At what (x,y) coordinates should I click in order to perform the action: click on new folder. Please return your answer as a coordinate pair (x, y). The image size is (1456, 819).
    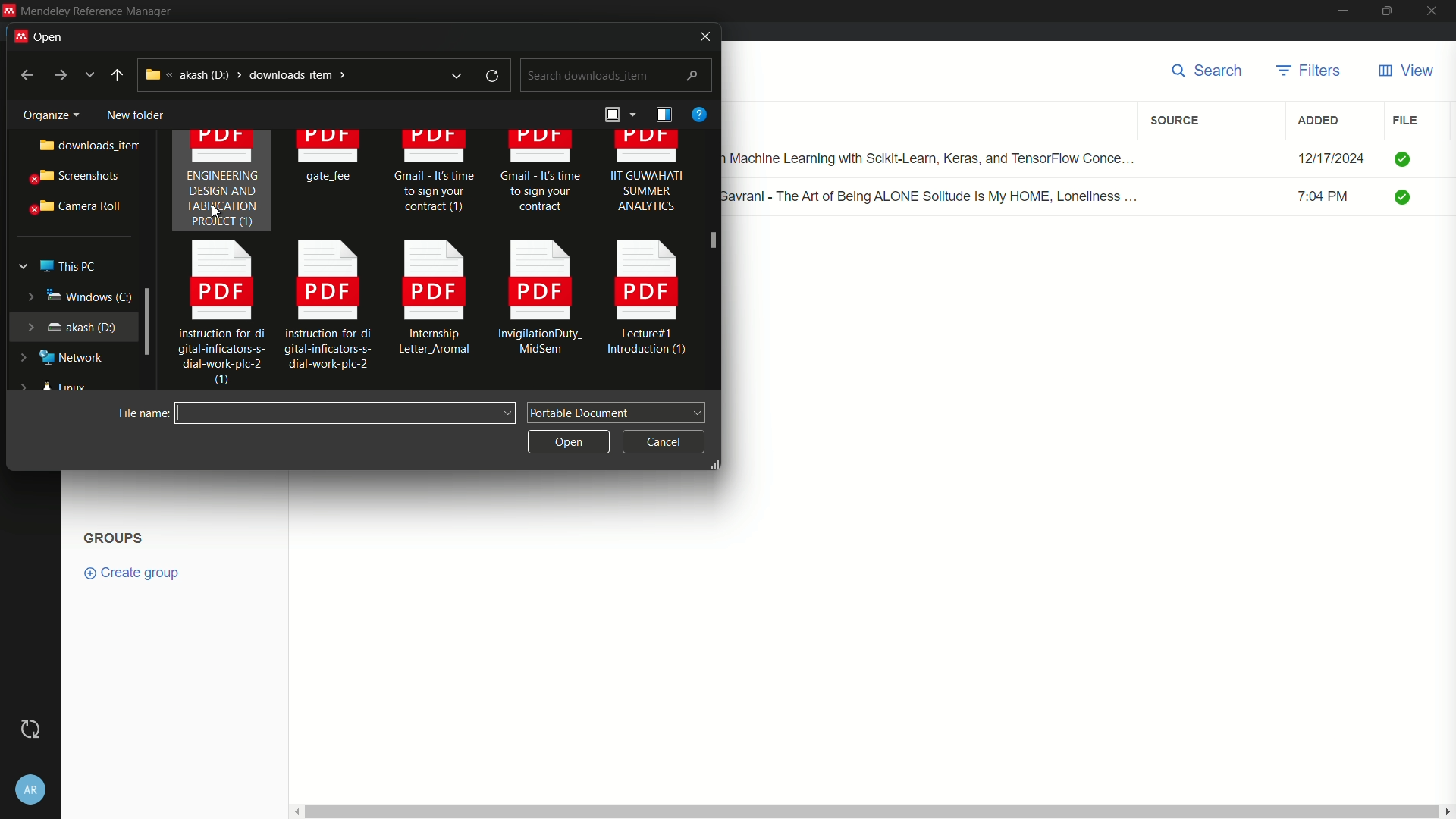
    Looking at the image, I should click on (134, 111).